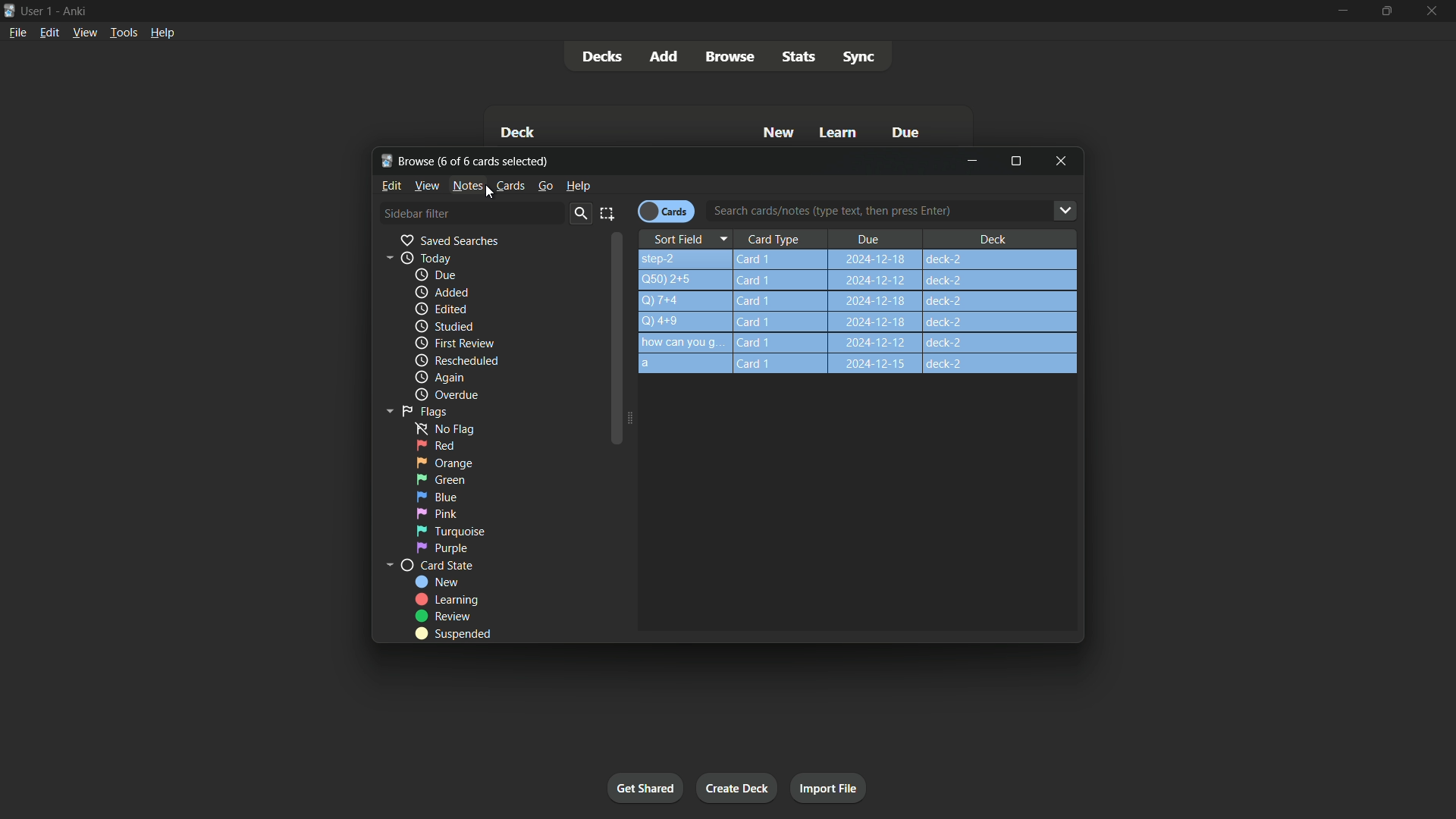 The width and height of the screenshot is (1456, 819). Describe the element at coordinates (414, 258) in the screenshot. I see `Today` at that location.